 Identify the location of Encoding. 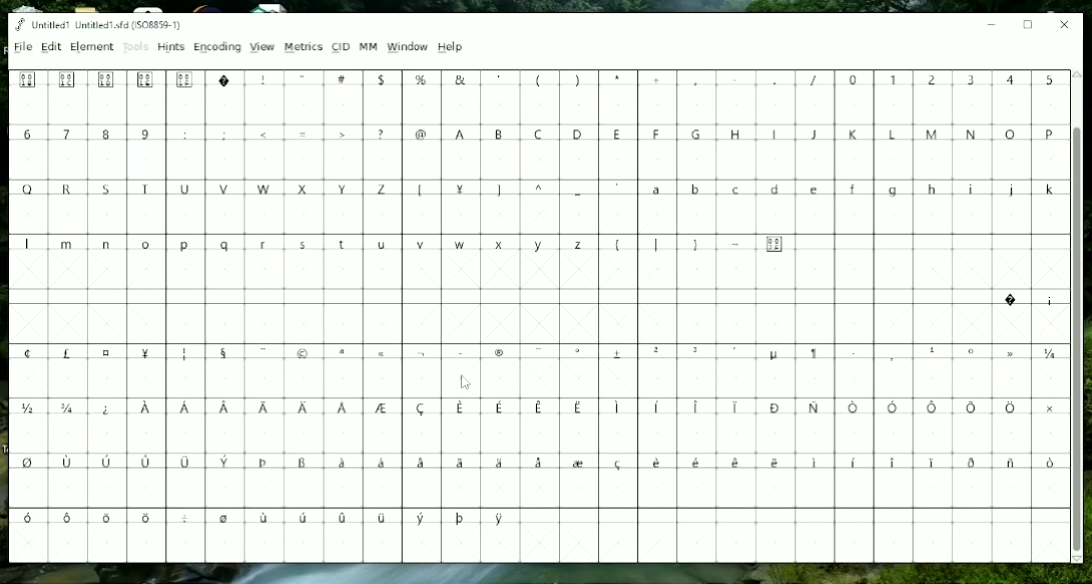
(218, 48).